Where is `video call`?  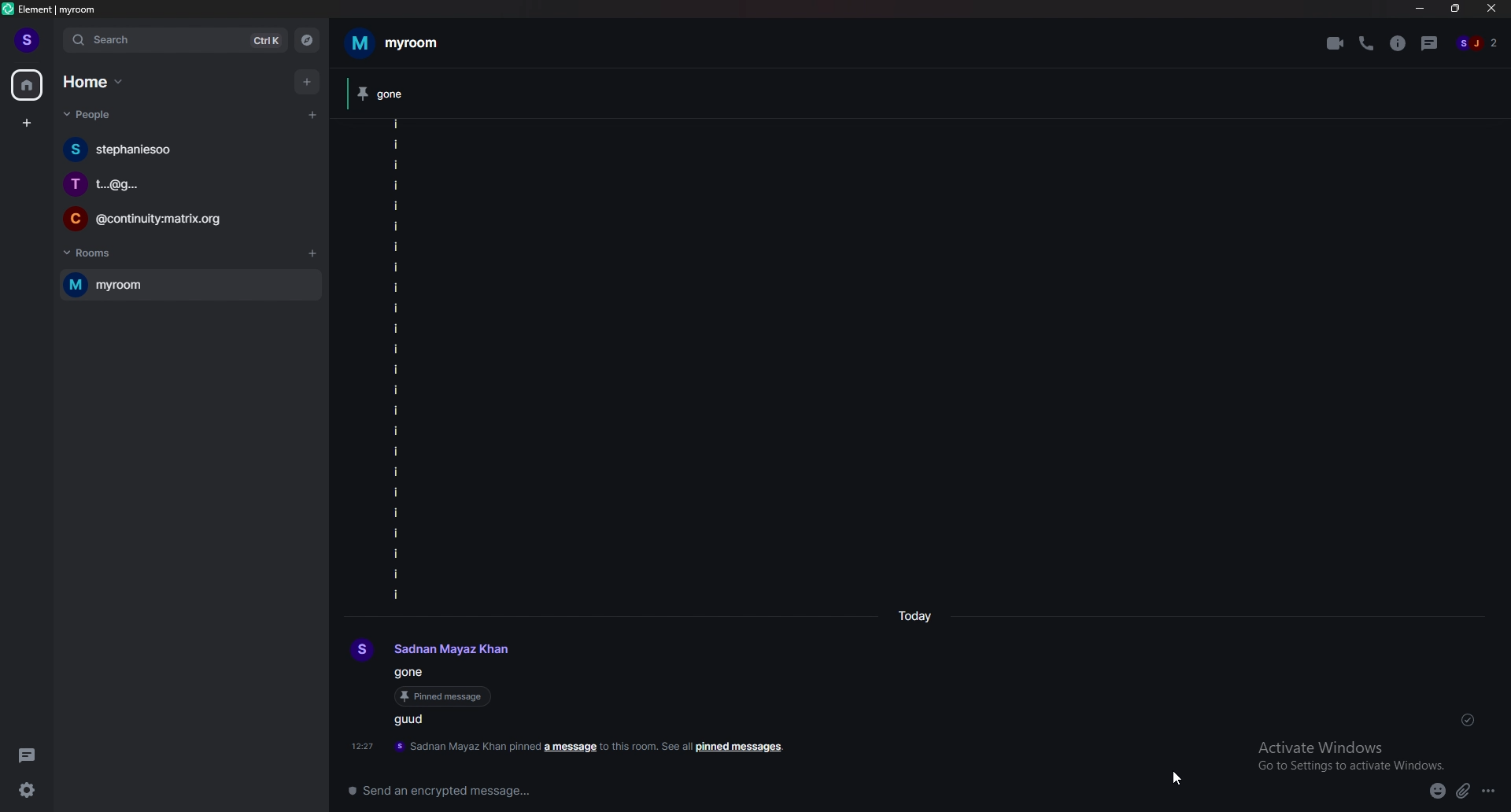 video call is located at coordinates (1336, 43).